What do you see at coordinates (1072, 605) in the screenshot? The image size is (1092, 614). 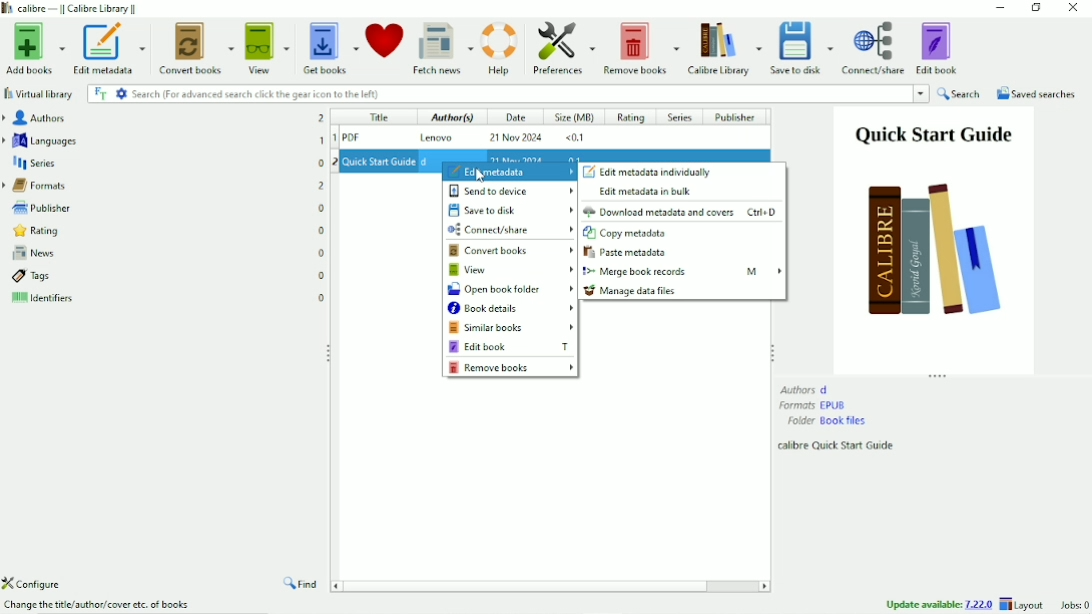 I see `Jobs` at bounding box center [1072, 605].